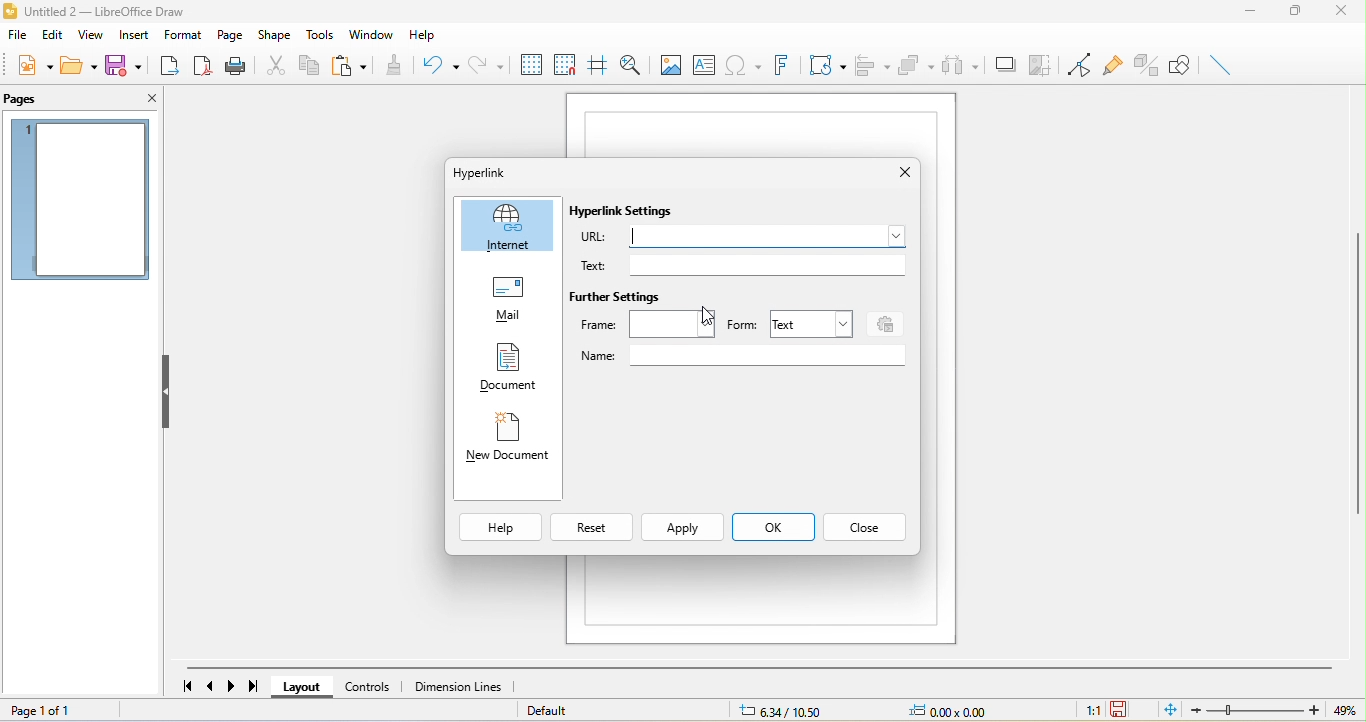 This screenshot has width=1366, height=722. Describe the element at coordinates (355, 65) in the screenshot. I see `paste` at that location.